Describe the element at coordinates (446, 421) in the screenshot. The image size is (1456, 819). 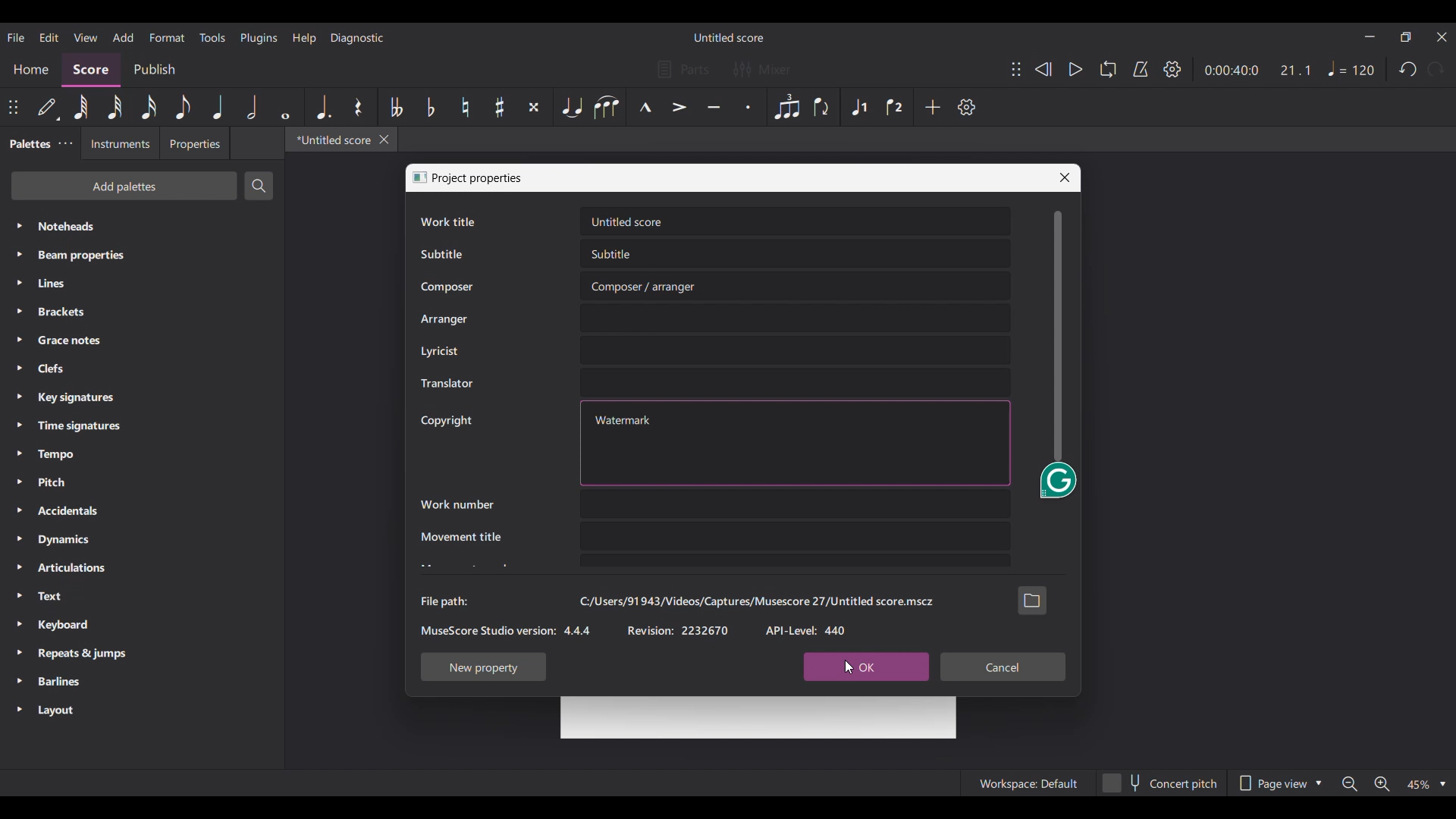
I see `Copyright` at that location.